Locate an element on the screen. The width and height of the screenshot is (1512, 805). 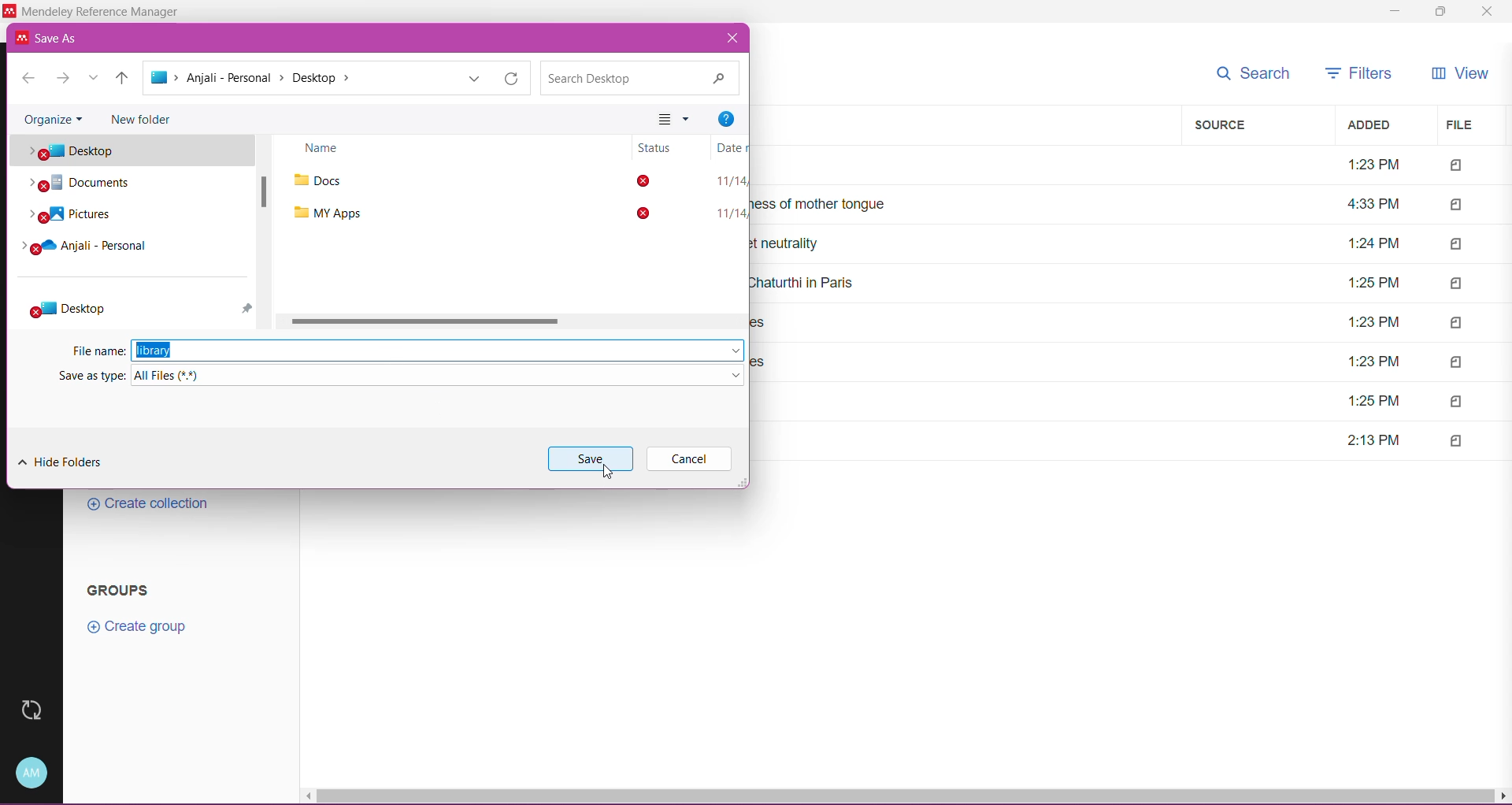
close is located at coordinates (1486, 13).